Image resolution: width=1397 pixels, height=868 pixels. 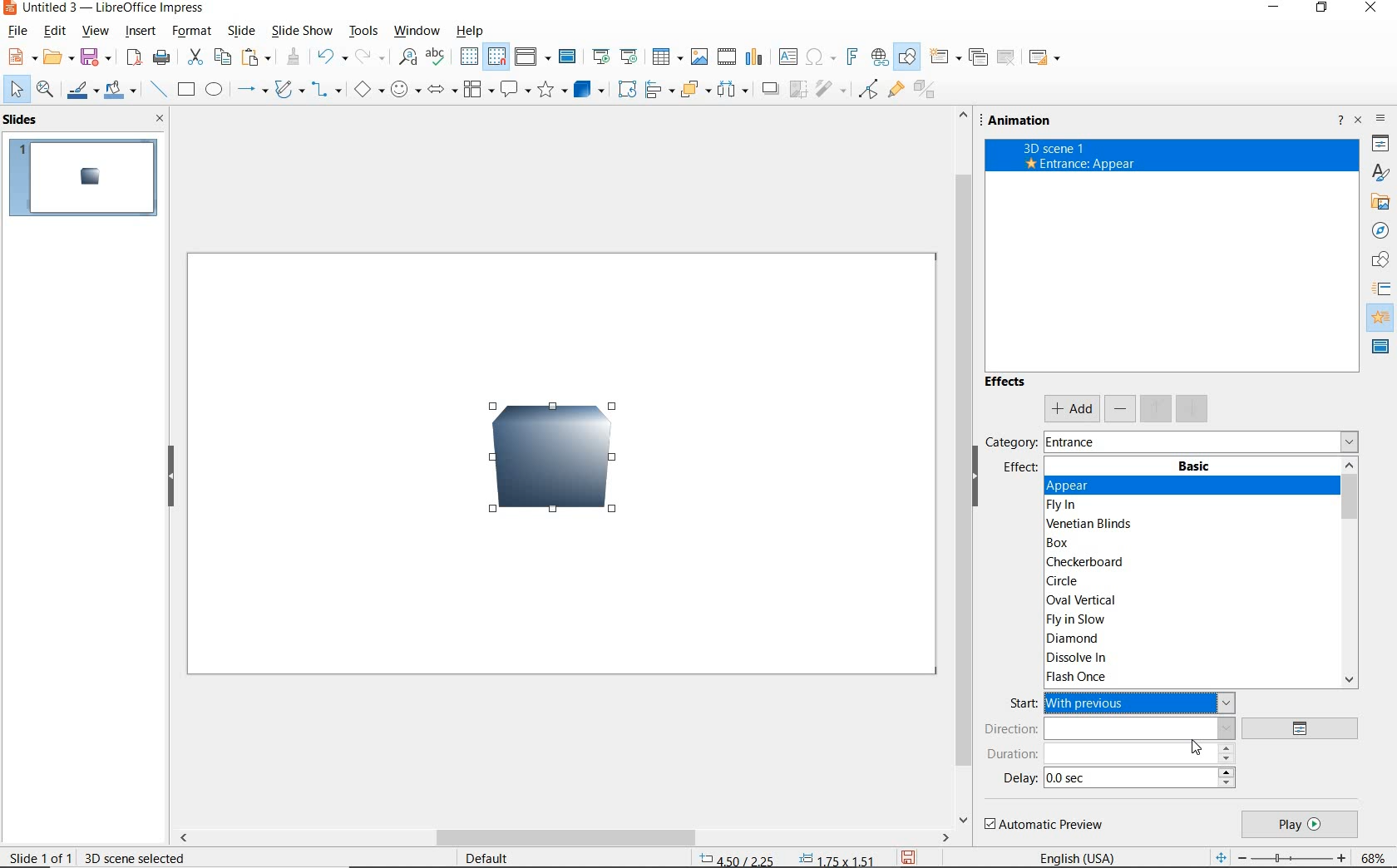 What do you see at coordinates (214, 91) in the screenshot?
I see `ellipse` at bounding box center [214, 91].